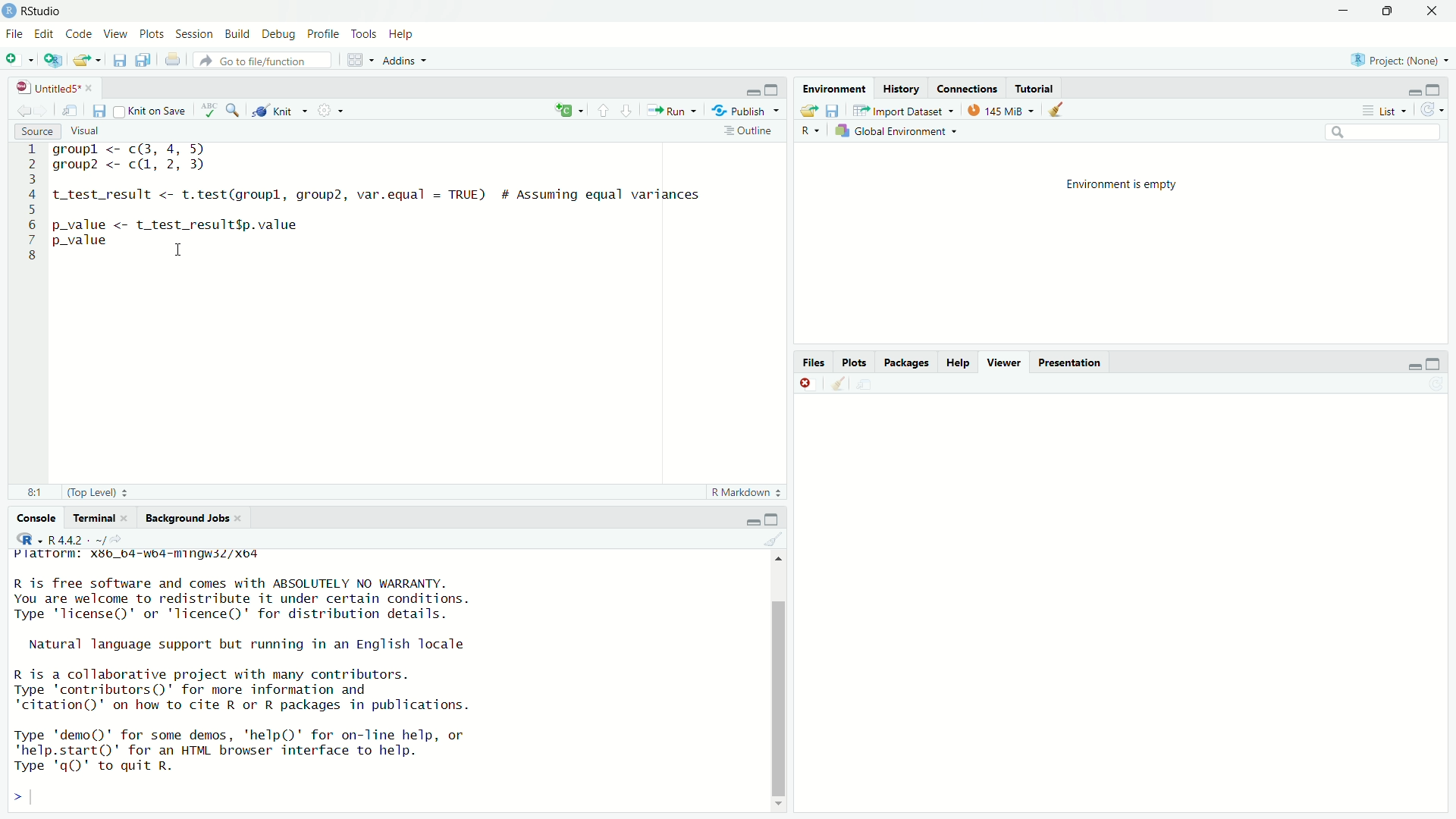 The image size is (1456, 819). Describe the element at coordinates (1072, 362) in the screenshot. I see `Presentation` at that location.